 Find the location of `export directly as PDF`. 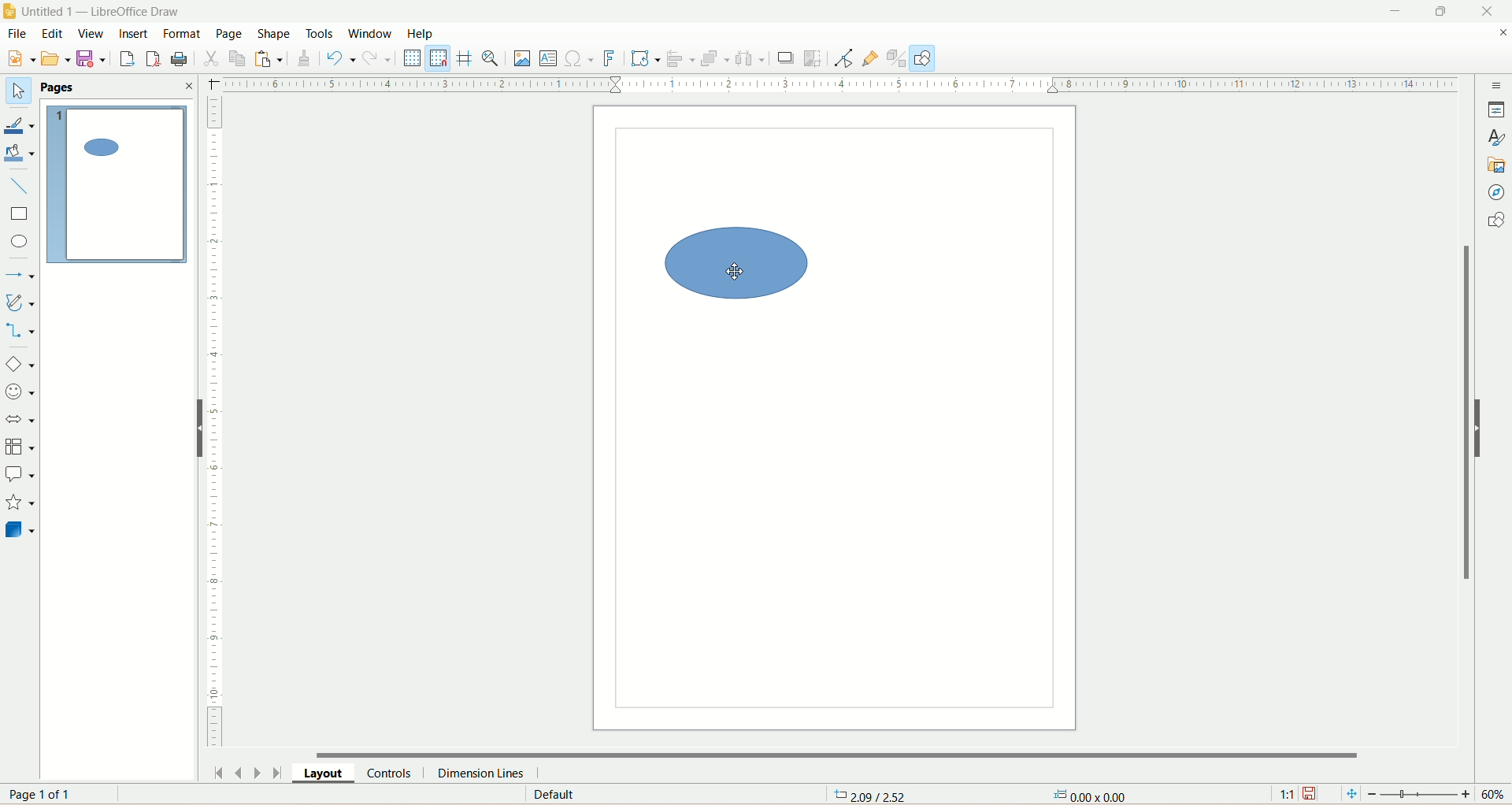

export directly as PDF is located at coordinates (154, 58).